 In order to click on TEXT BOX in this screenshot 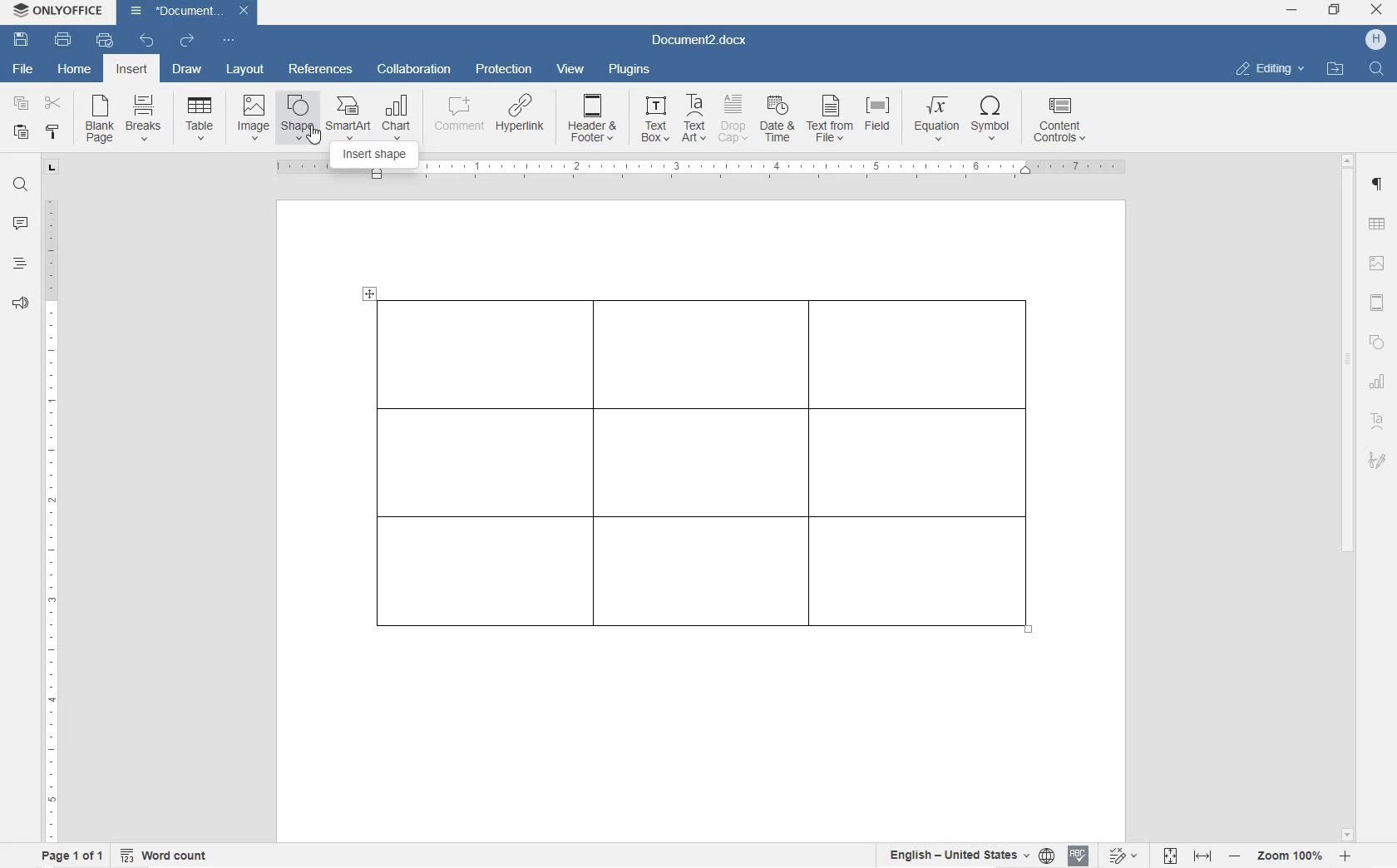, I will do `click(653, 121)`.